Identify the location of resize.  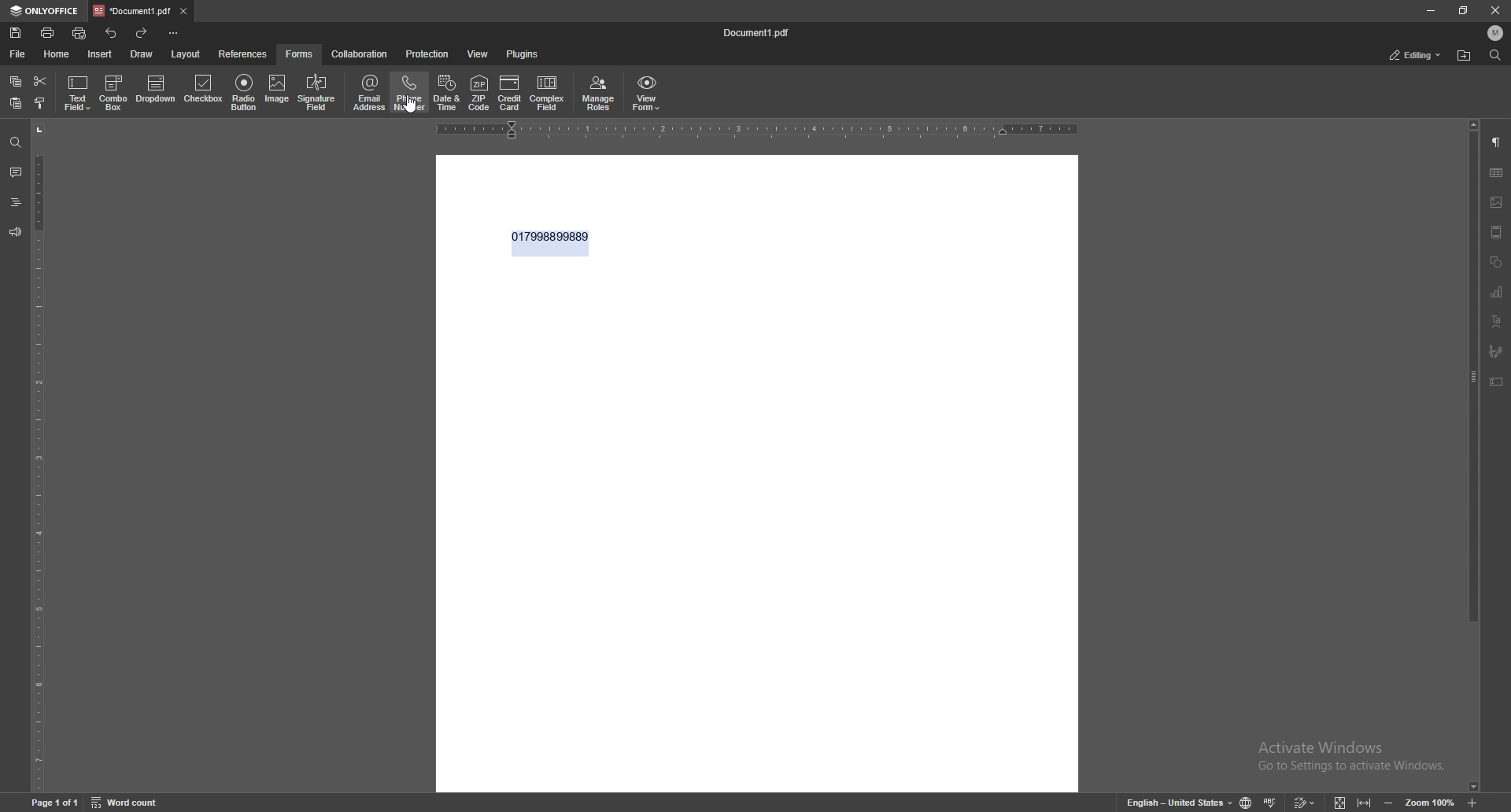
(1465, 11).